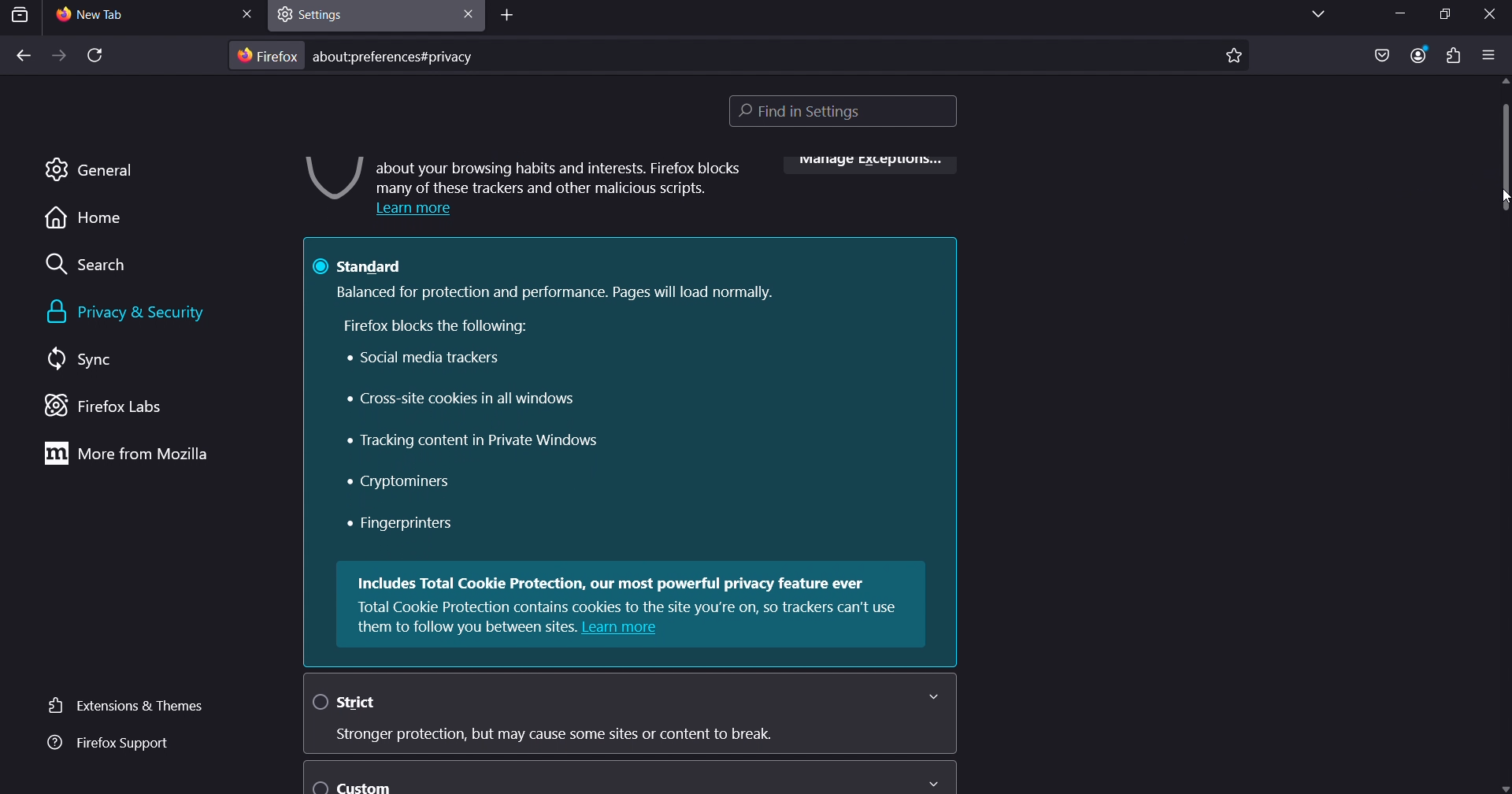 The image size is (1512, 794). I want to click on image, so click(335, 173).